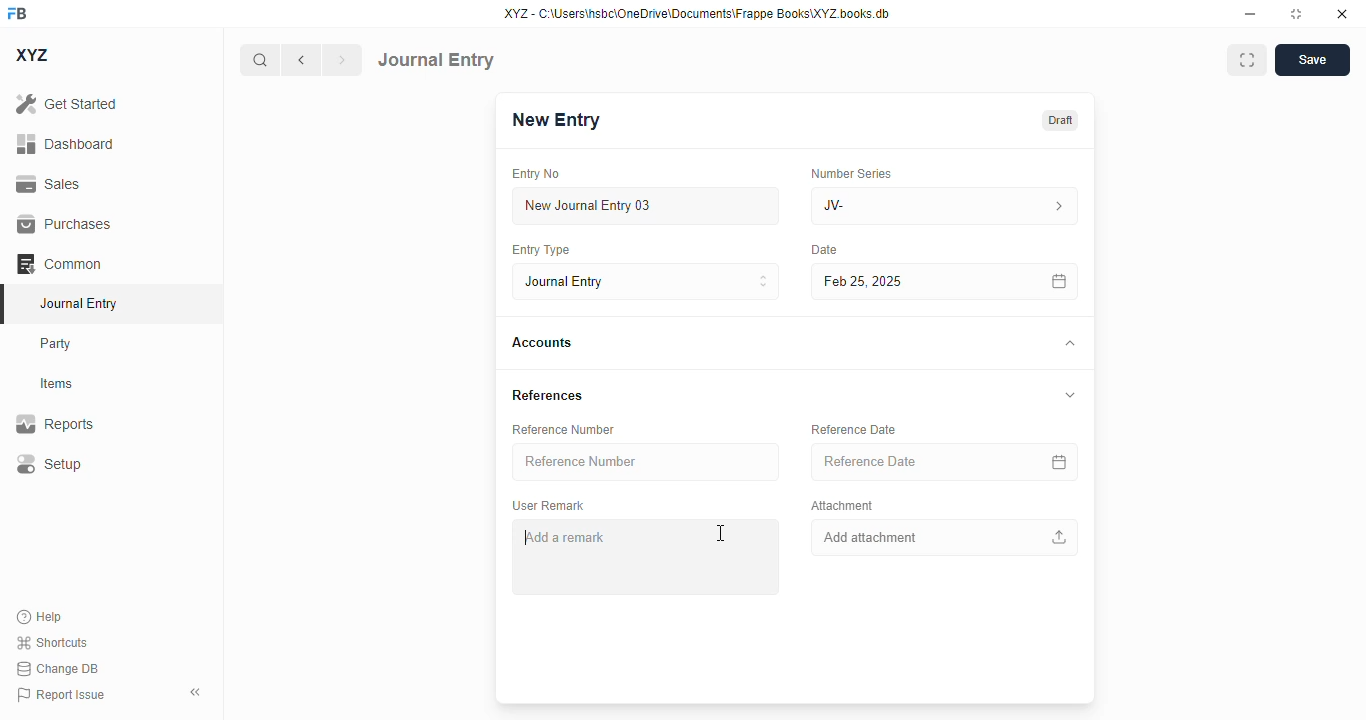  What do you see at coordinates (197, 692) in the screenshot?
I see `toggle sidebar` at bounding box center [197, 692].